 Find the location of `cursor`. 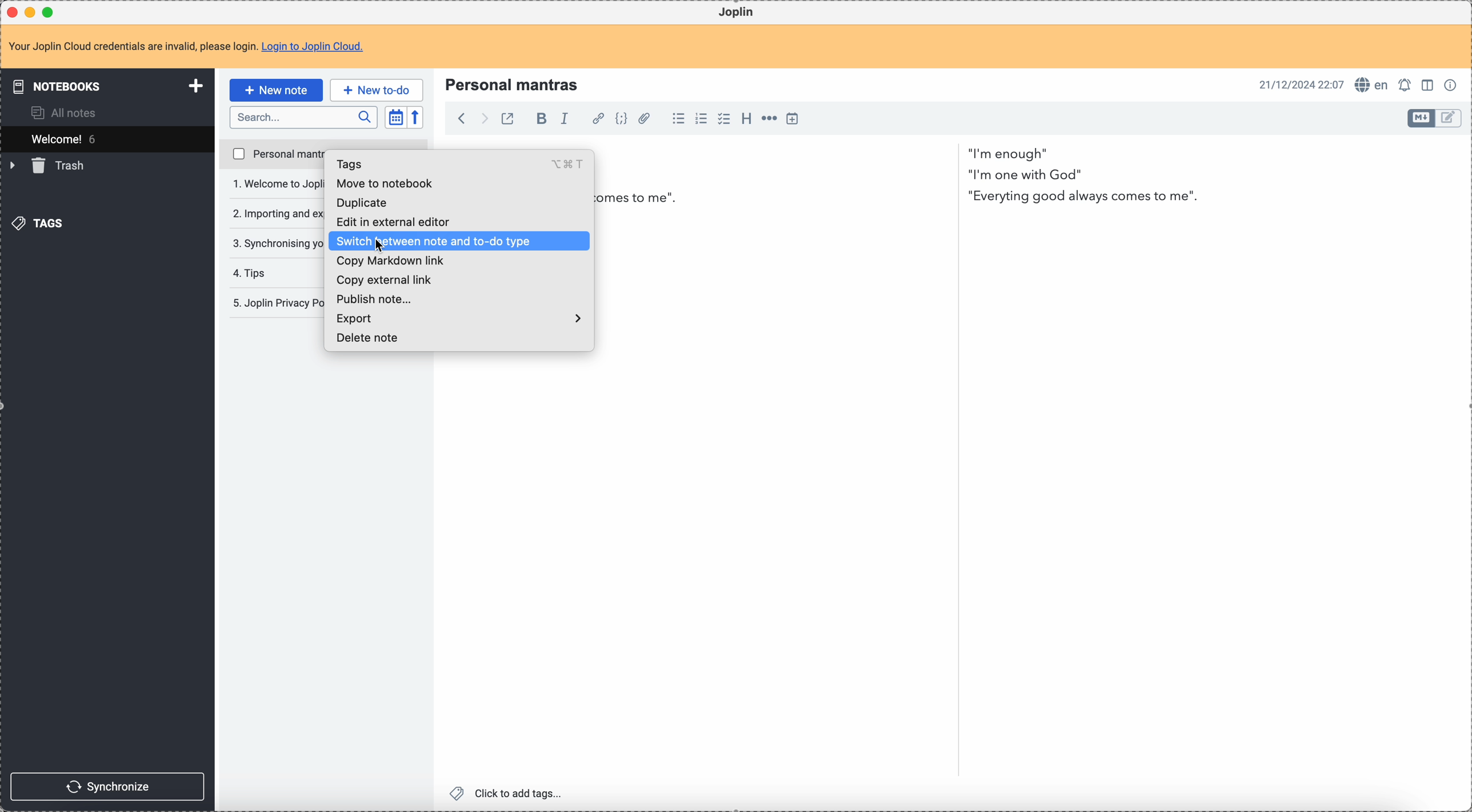

cursor is located at coordinates (382, 247).